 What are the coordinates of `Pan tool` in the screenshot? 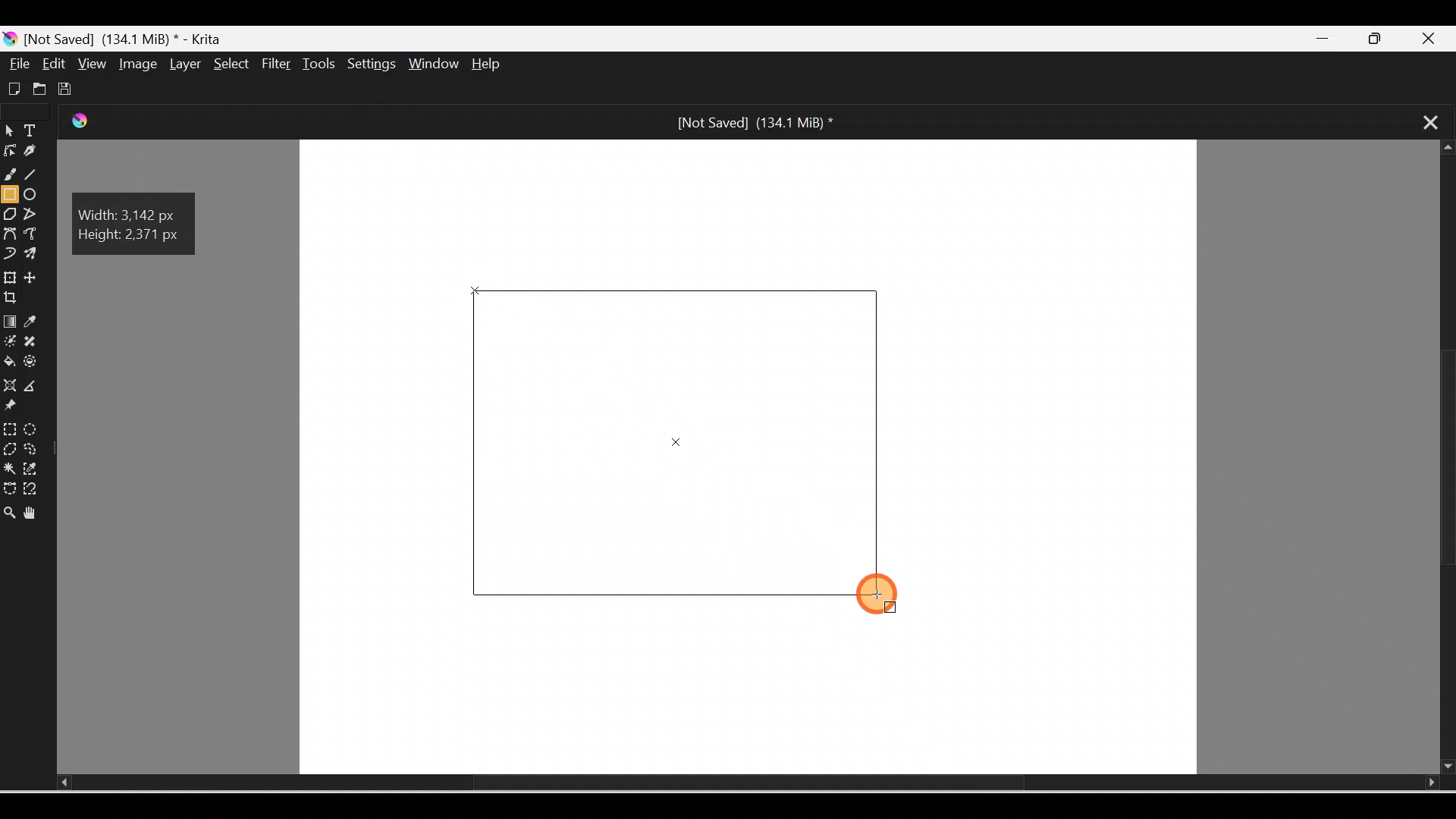 It's located at (33, 510).